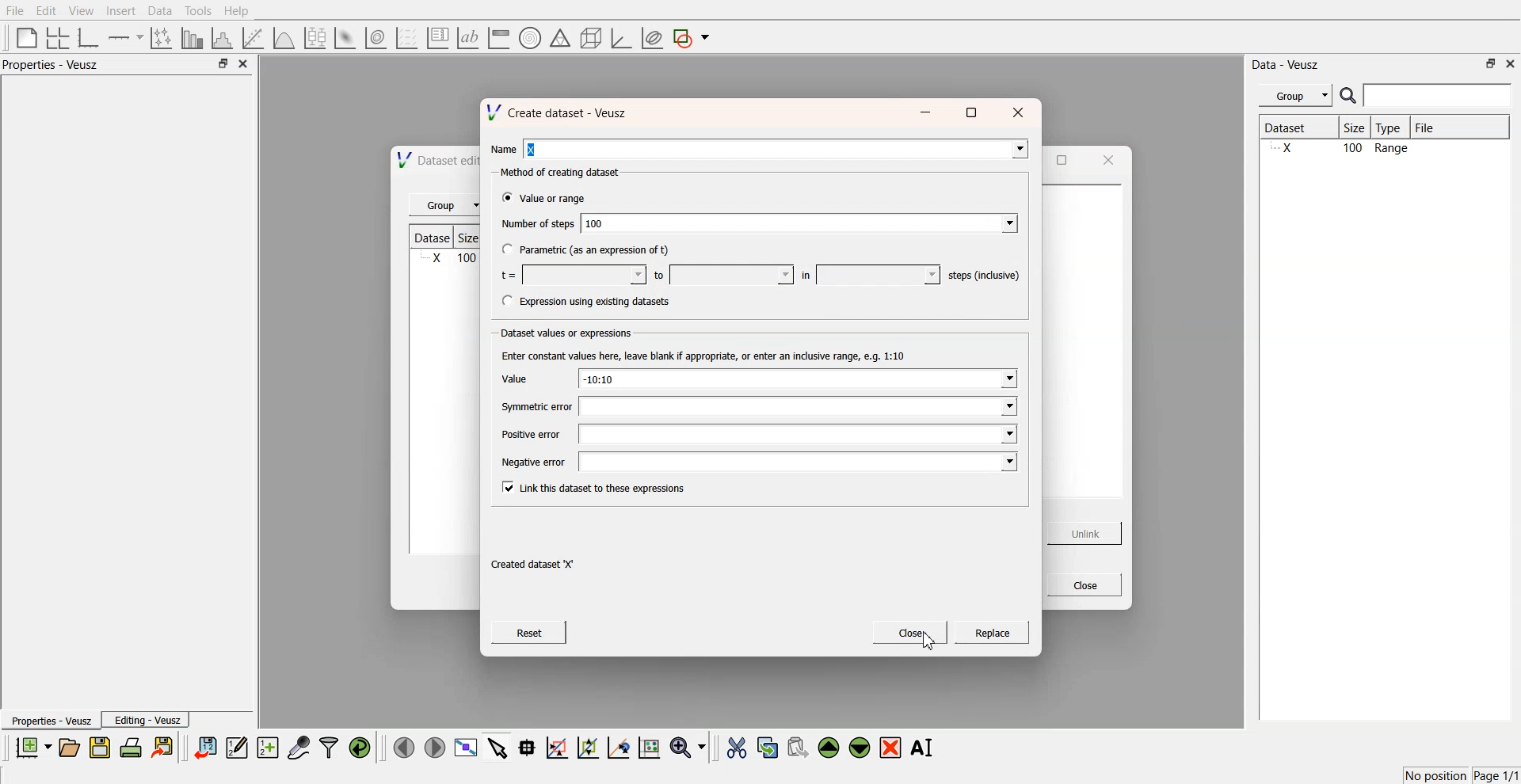 The image size is (1521, 784). What do you see at coordinates (531, 435) in the screenshot?
I see `Positive error` at bounding box center [531, 435].